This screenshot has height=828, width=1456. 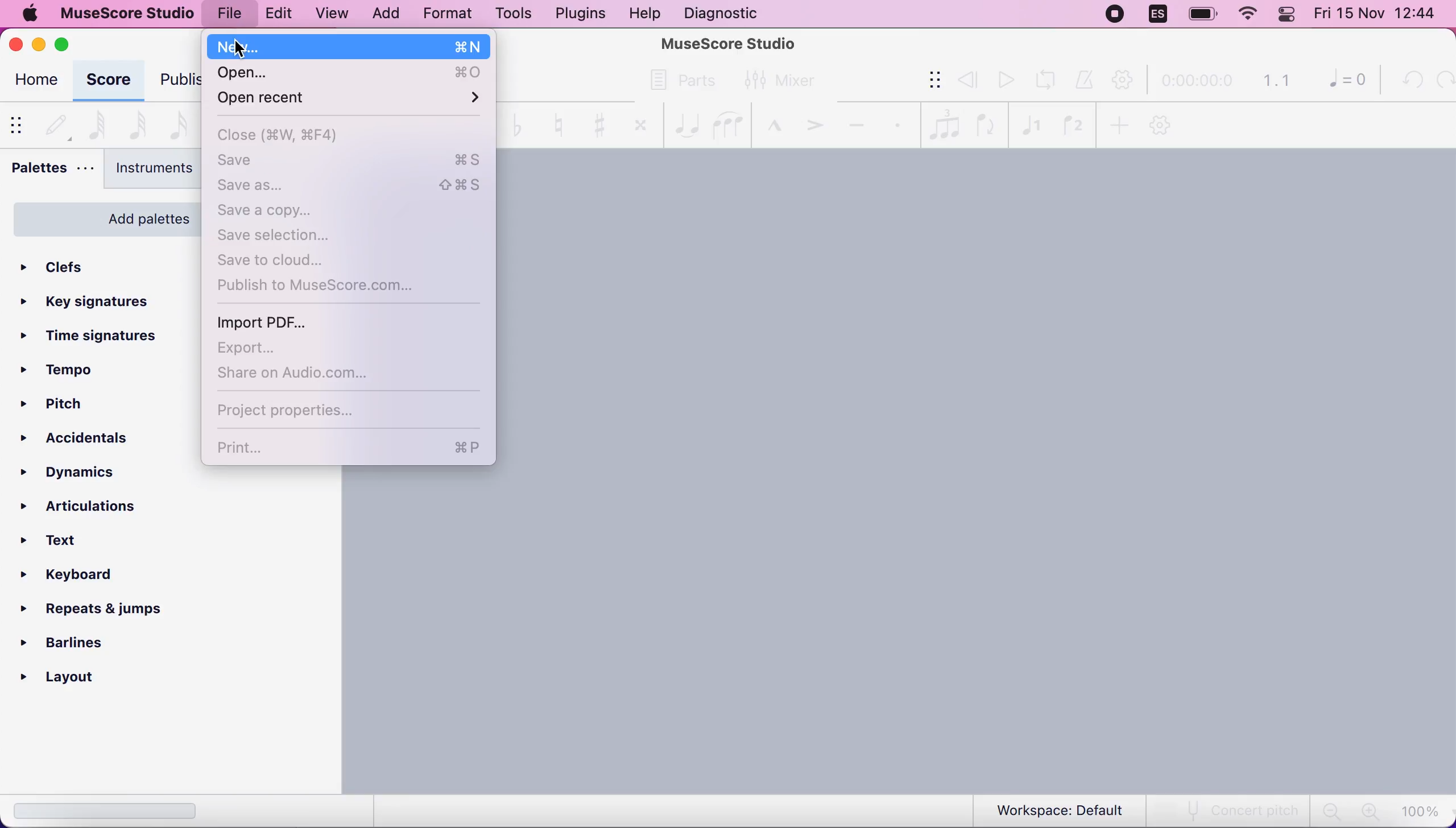 I want to click on 1.1 time, so click(x=1276, y=81).